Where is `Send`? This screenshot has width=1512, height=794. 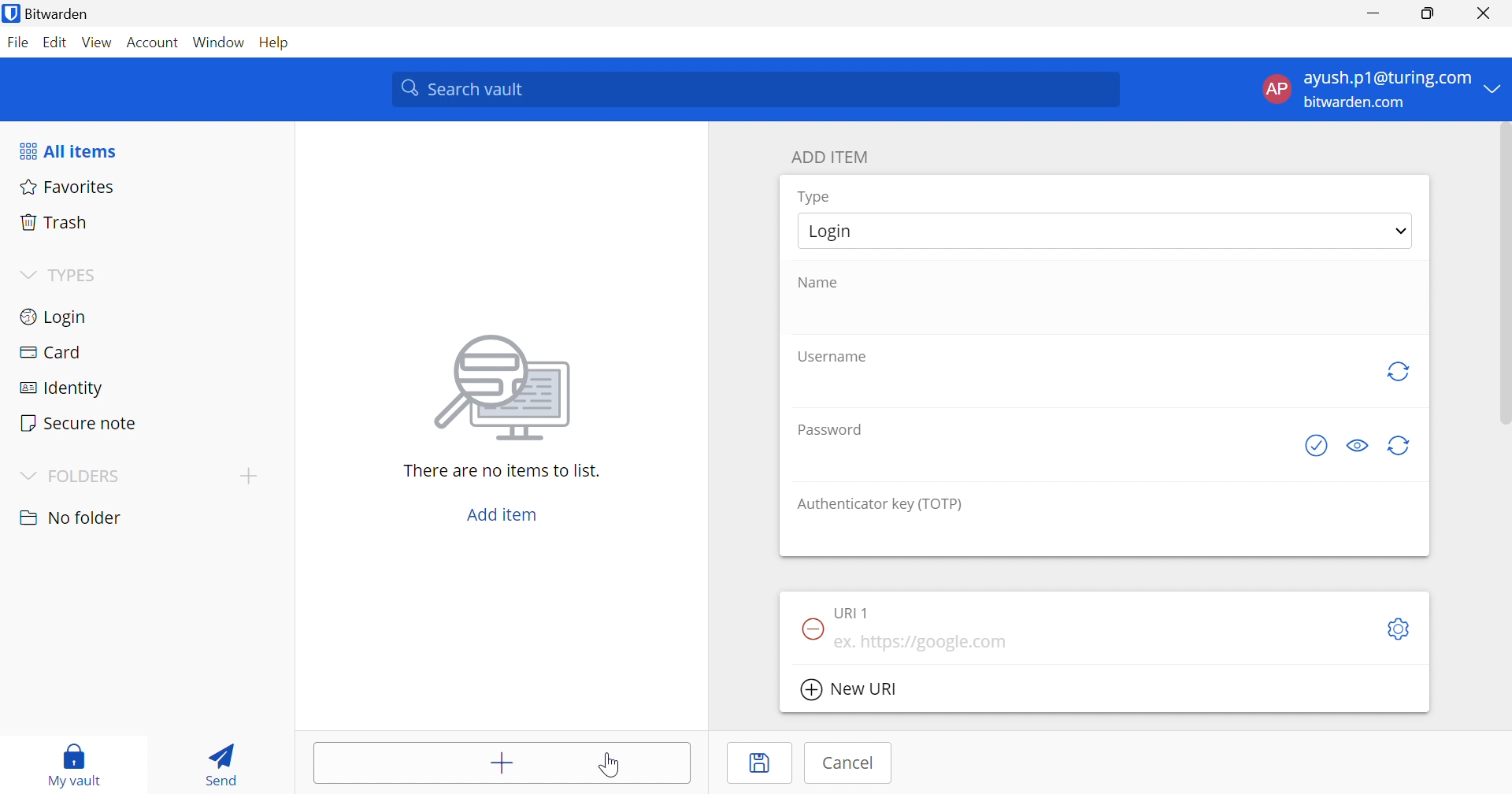
Send is located at coordinates (220, 762).